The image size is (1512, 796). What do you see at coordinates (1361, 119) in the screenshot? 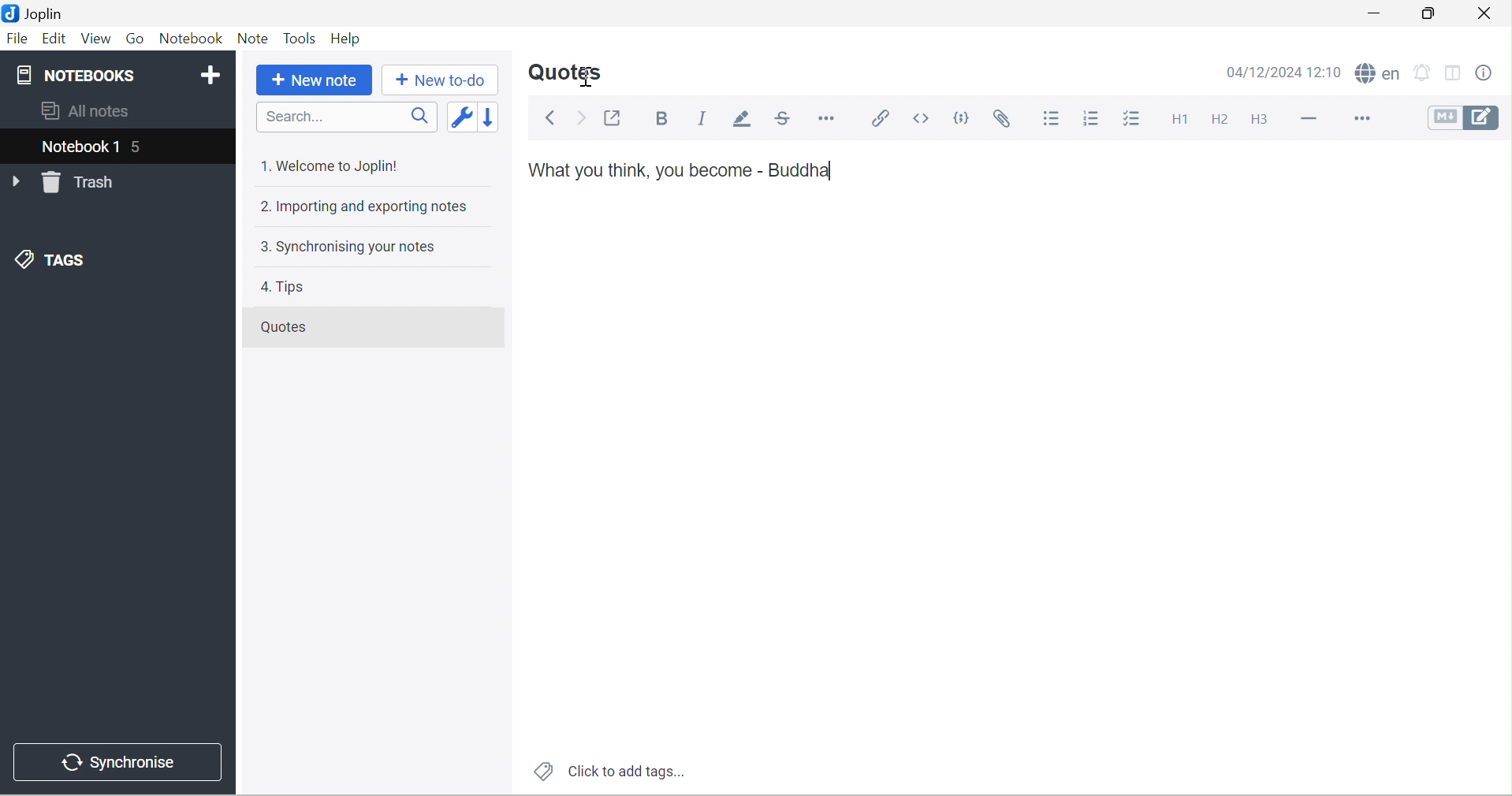
I see `More` at bounding box center [1361, 119].